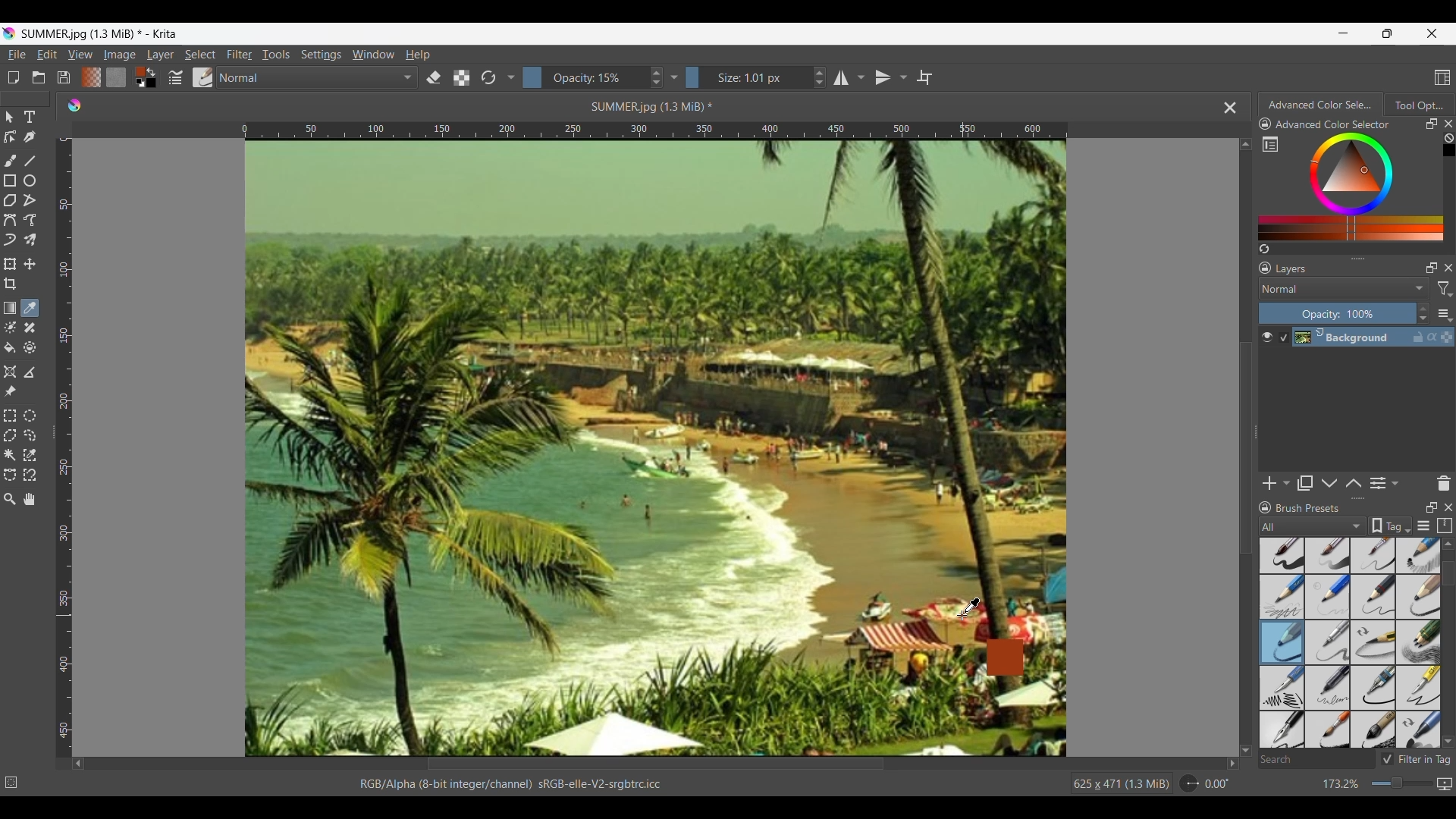 Image resolution: width=1456 pixels, height=819 pixels. Describe the element at coordinates (30, 200) in the screenshot. I see `Polyline tool` at that location.